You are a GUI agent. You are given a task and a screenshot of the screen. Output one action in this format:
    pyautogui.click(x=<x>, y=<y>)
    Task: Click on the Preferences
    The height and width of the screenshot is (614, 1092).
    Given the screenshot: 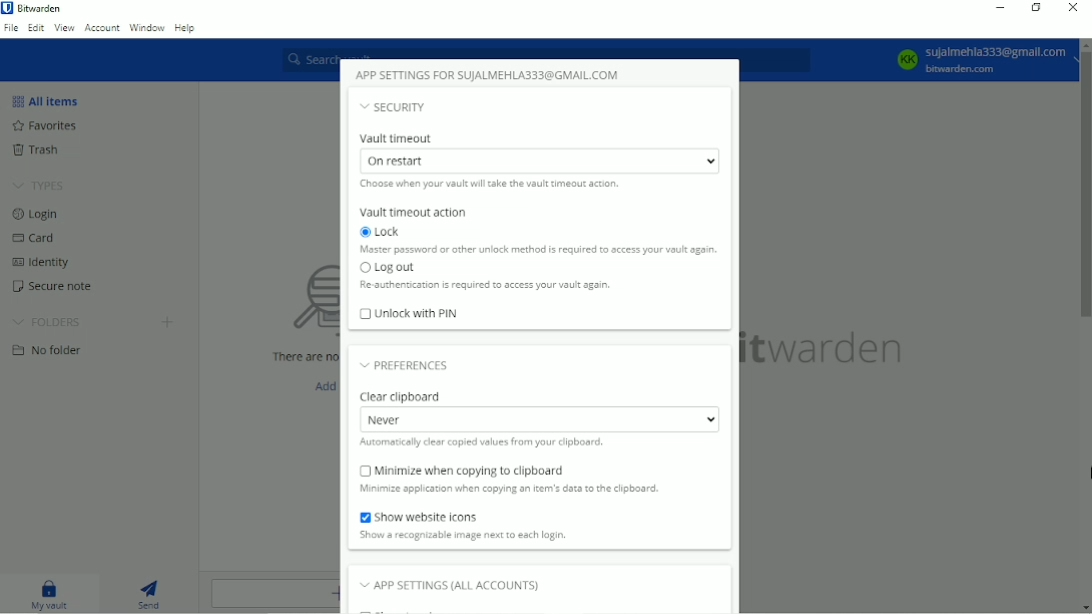 What is the action you would take?
    pyautogui.click(x=405, y=363)
    